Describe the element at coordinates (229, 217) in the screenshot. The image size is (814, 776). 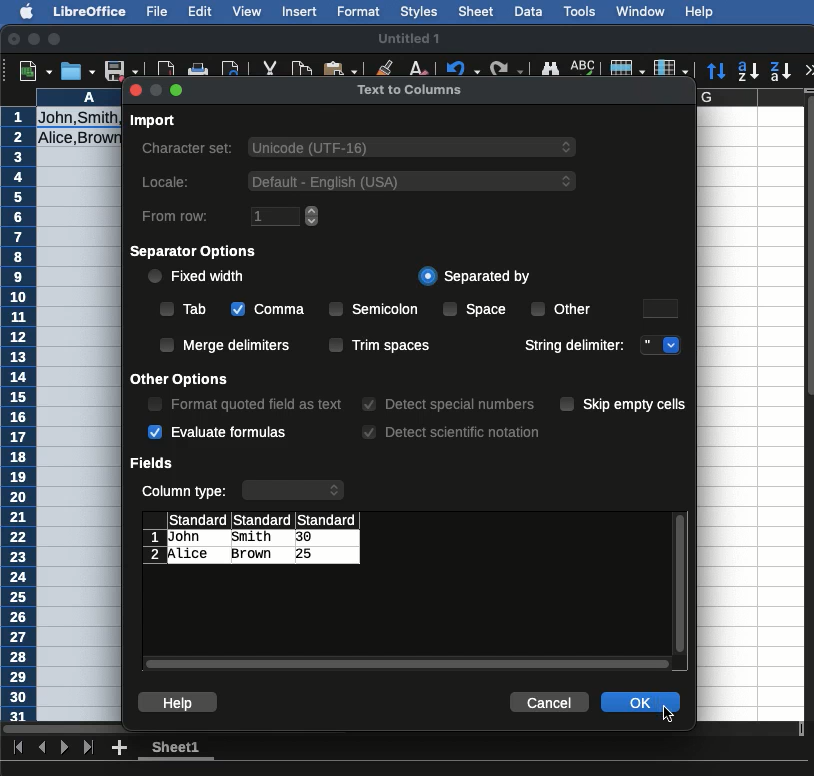
I see `From row` at that location.